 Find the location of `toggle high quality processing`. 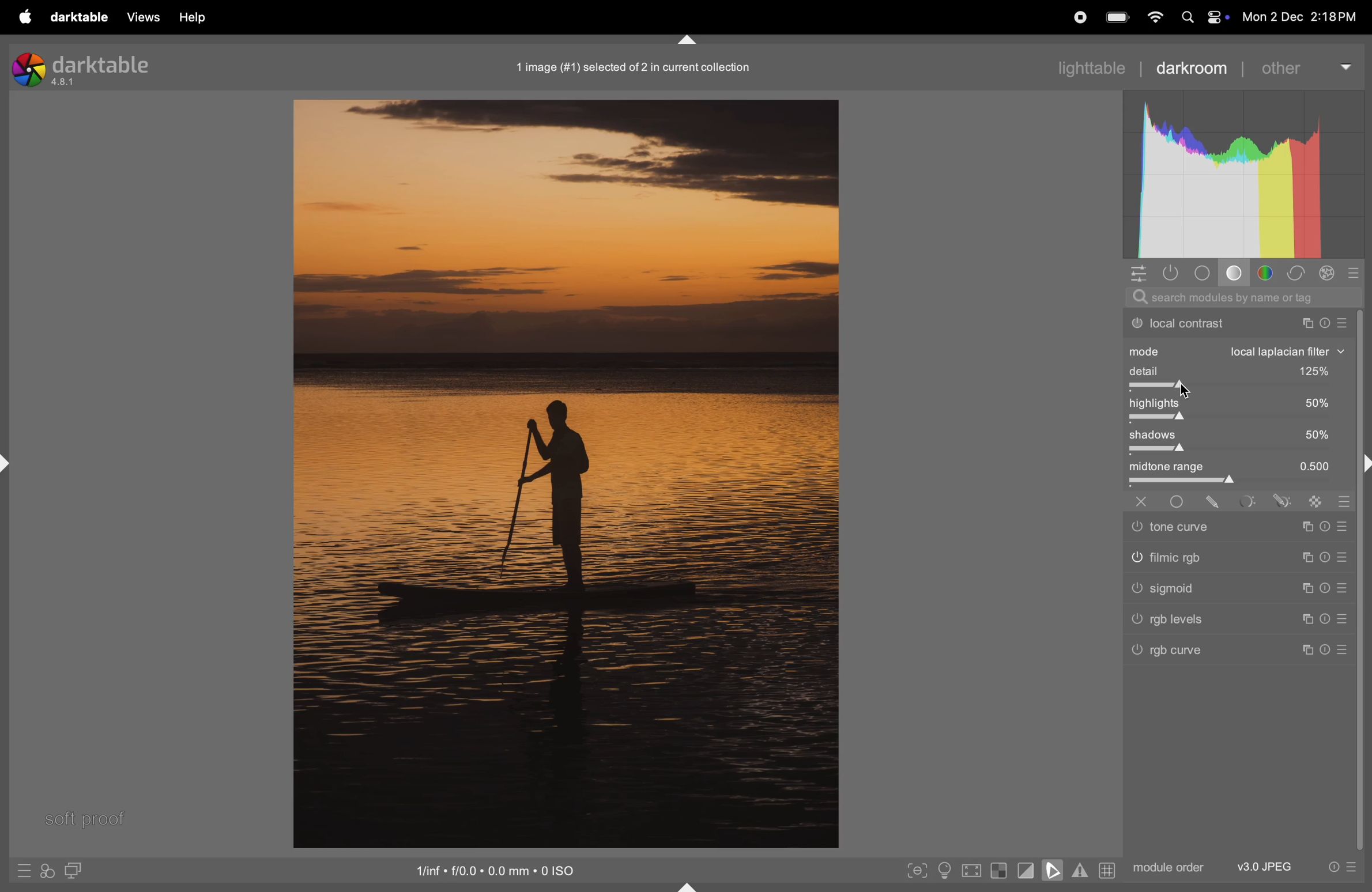

toggle high quality processing is located at coordinates (969, 870).